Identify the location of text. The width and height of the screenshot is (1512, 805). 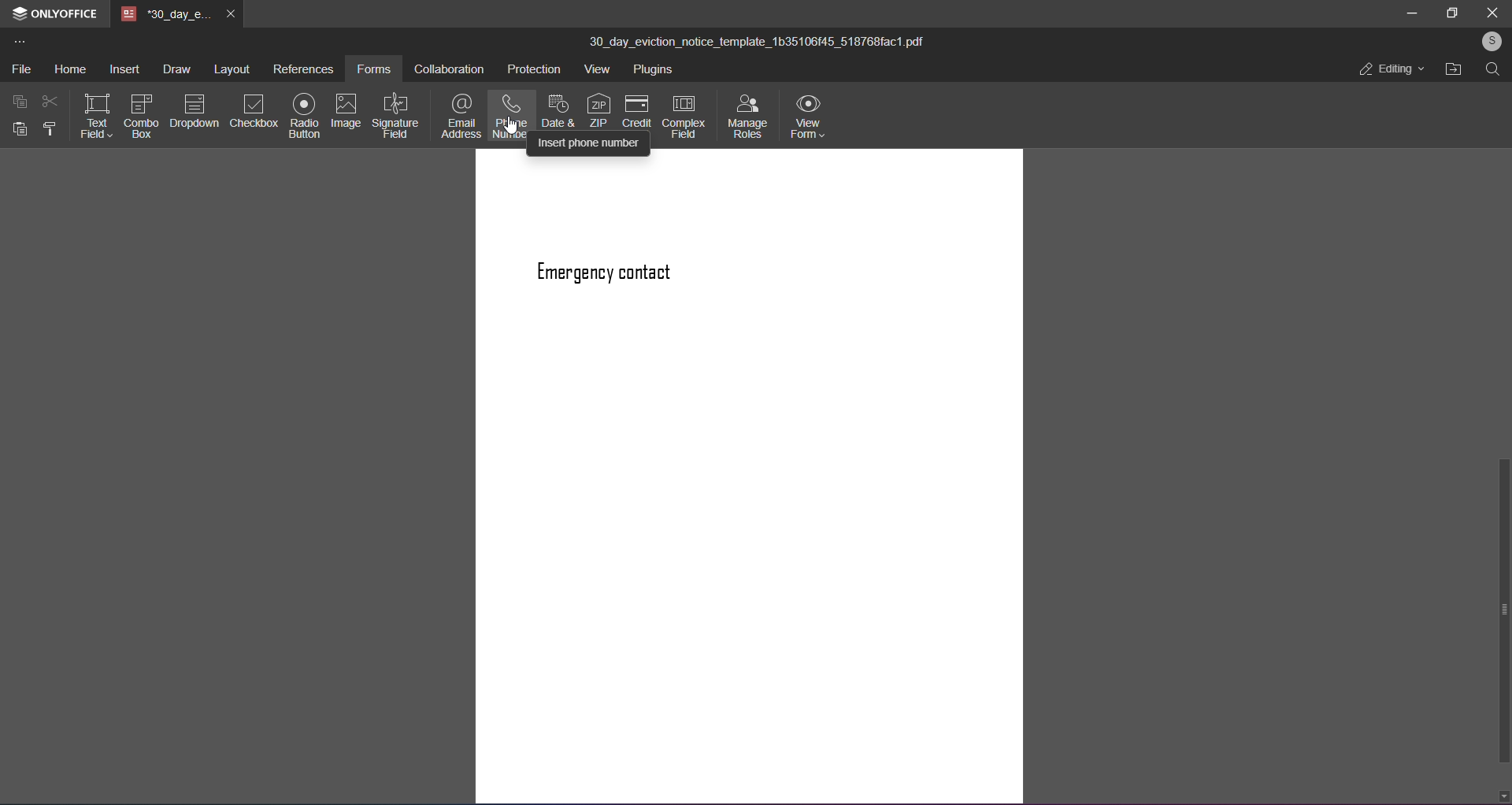
(619, 270).